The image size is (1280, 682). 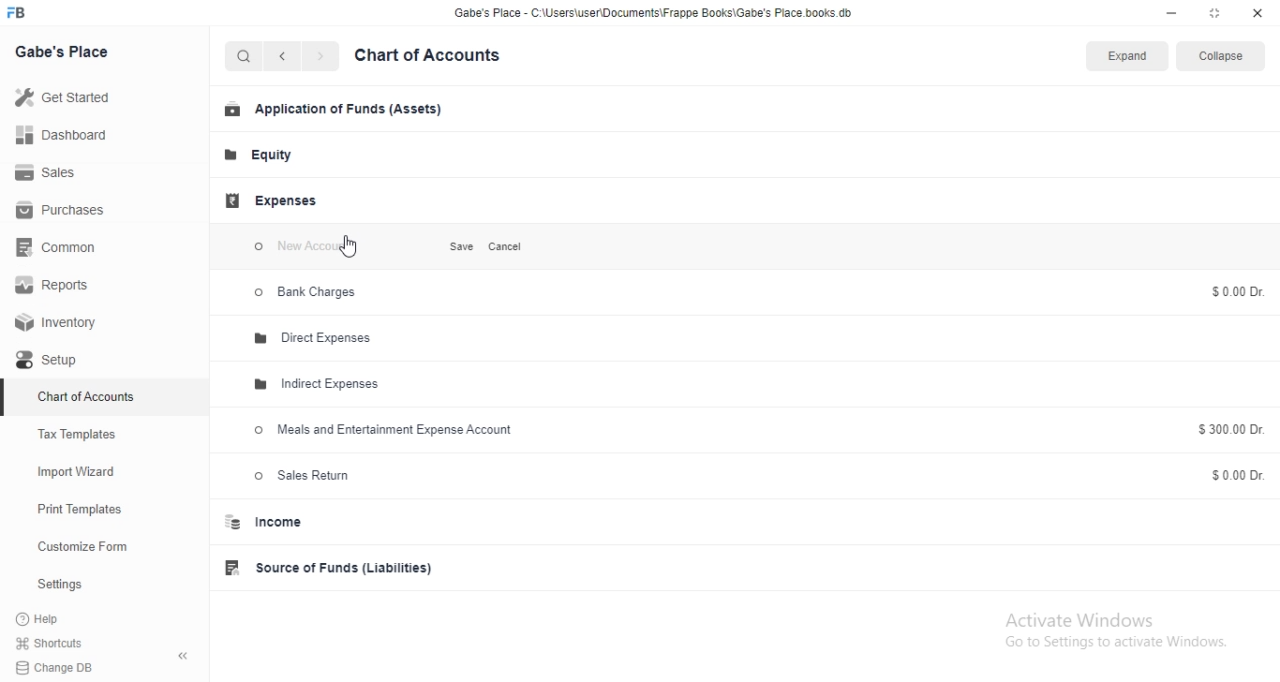 What do you see at coordinates (1259, 13) in the screenshot?
I see `close` at bounding box center [1259, 13].